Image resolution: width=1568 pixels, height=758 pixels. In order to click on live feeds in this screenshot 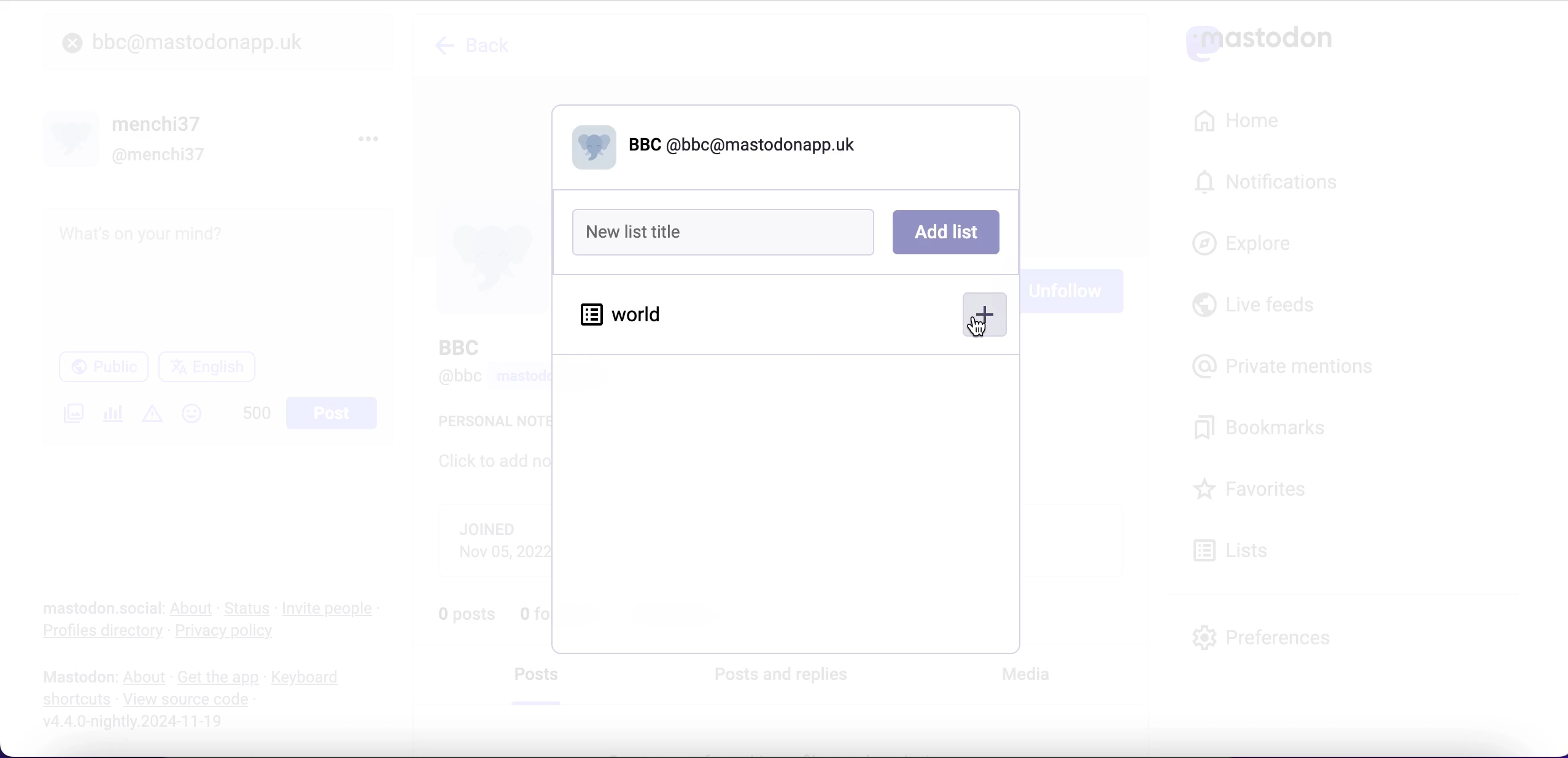, I will do `click(1254, 309)`.